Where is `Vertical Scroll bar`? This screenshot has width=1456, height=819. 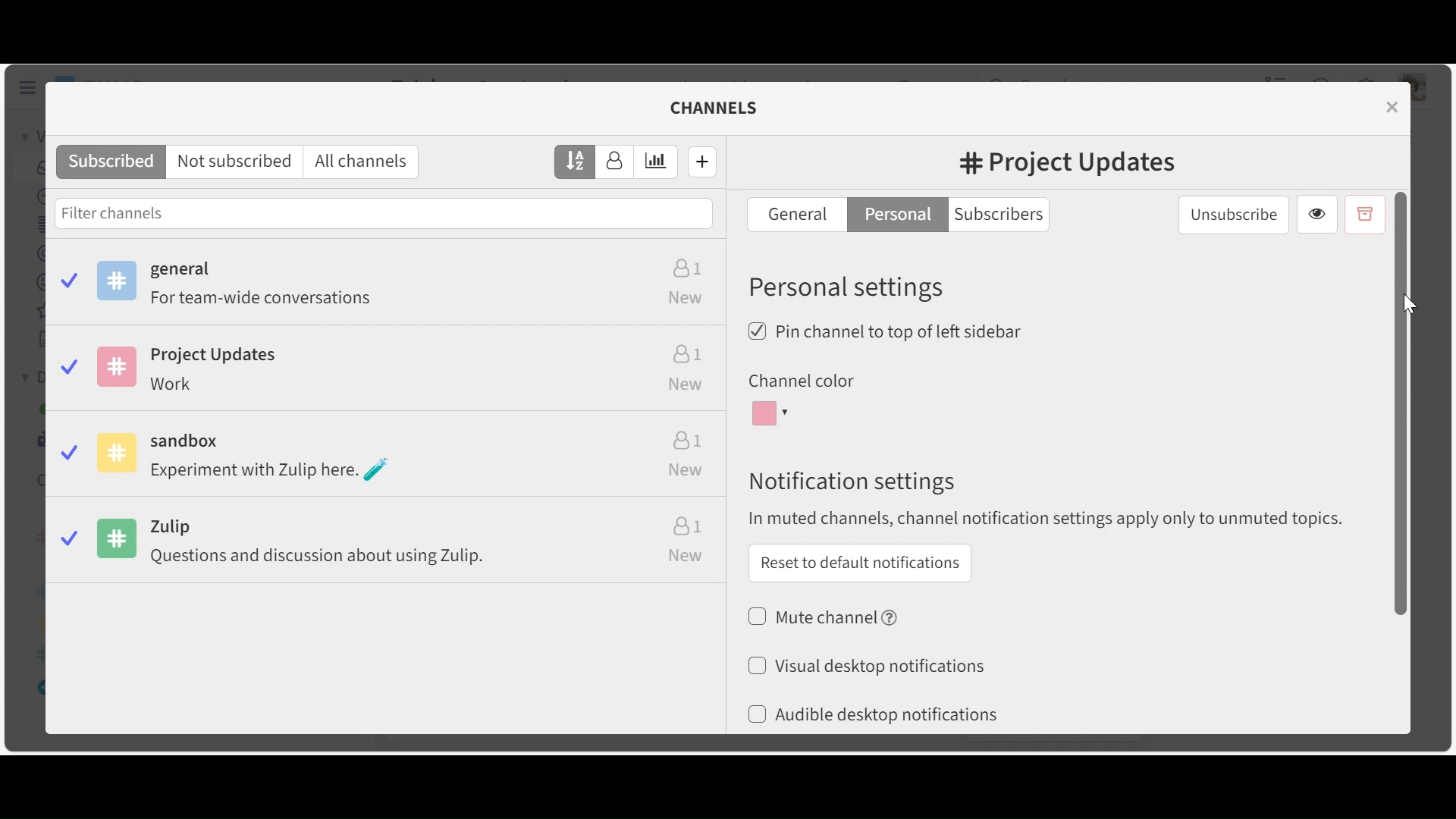 Vertical Scroll bar is located at coordinates (1399, 403).